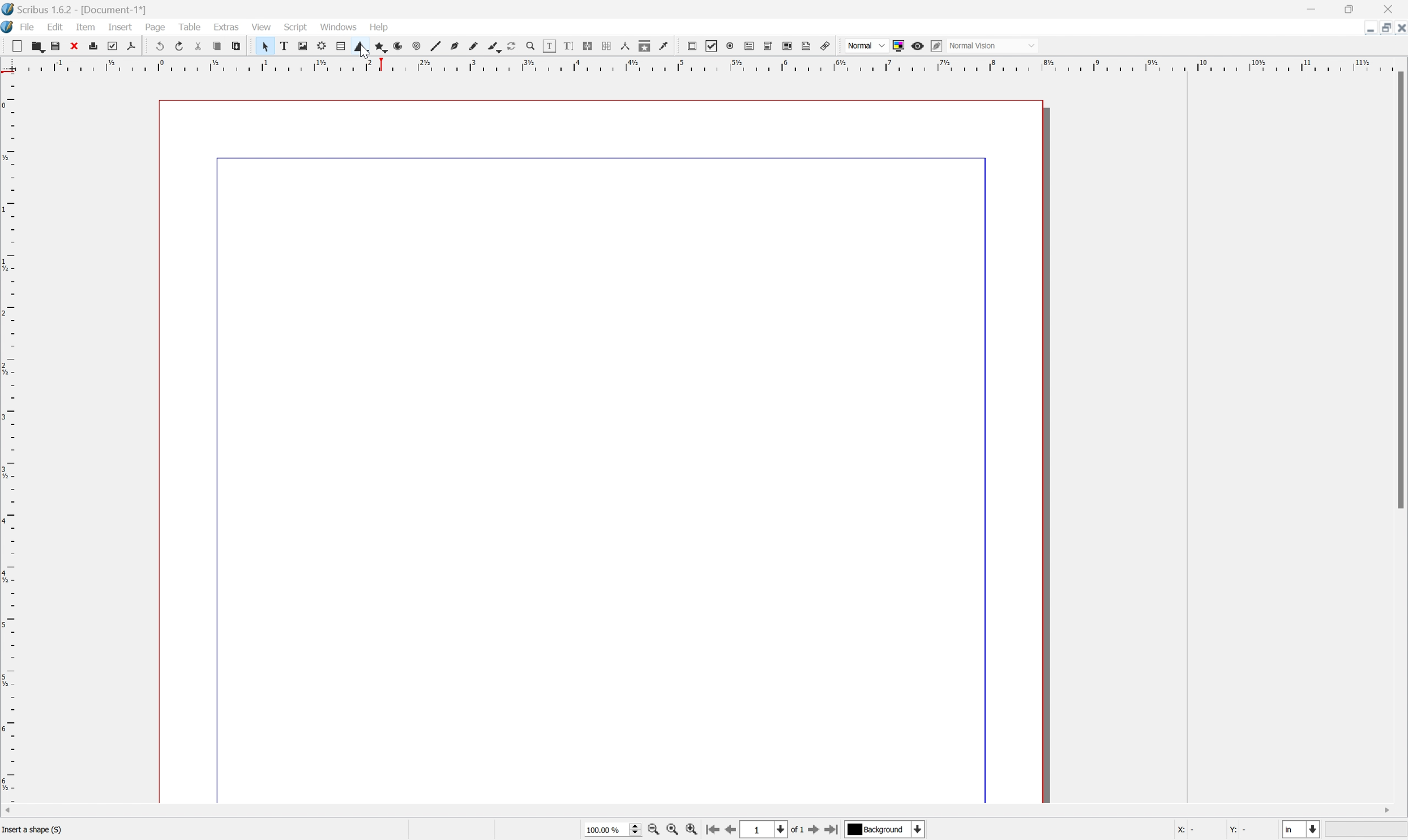 The width and height of the screenshot is (1408, 840). I want to click on Image frame, so click(303, 45).